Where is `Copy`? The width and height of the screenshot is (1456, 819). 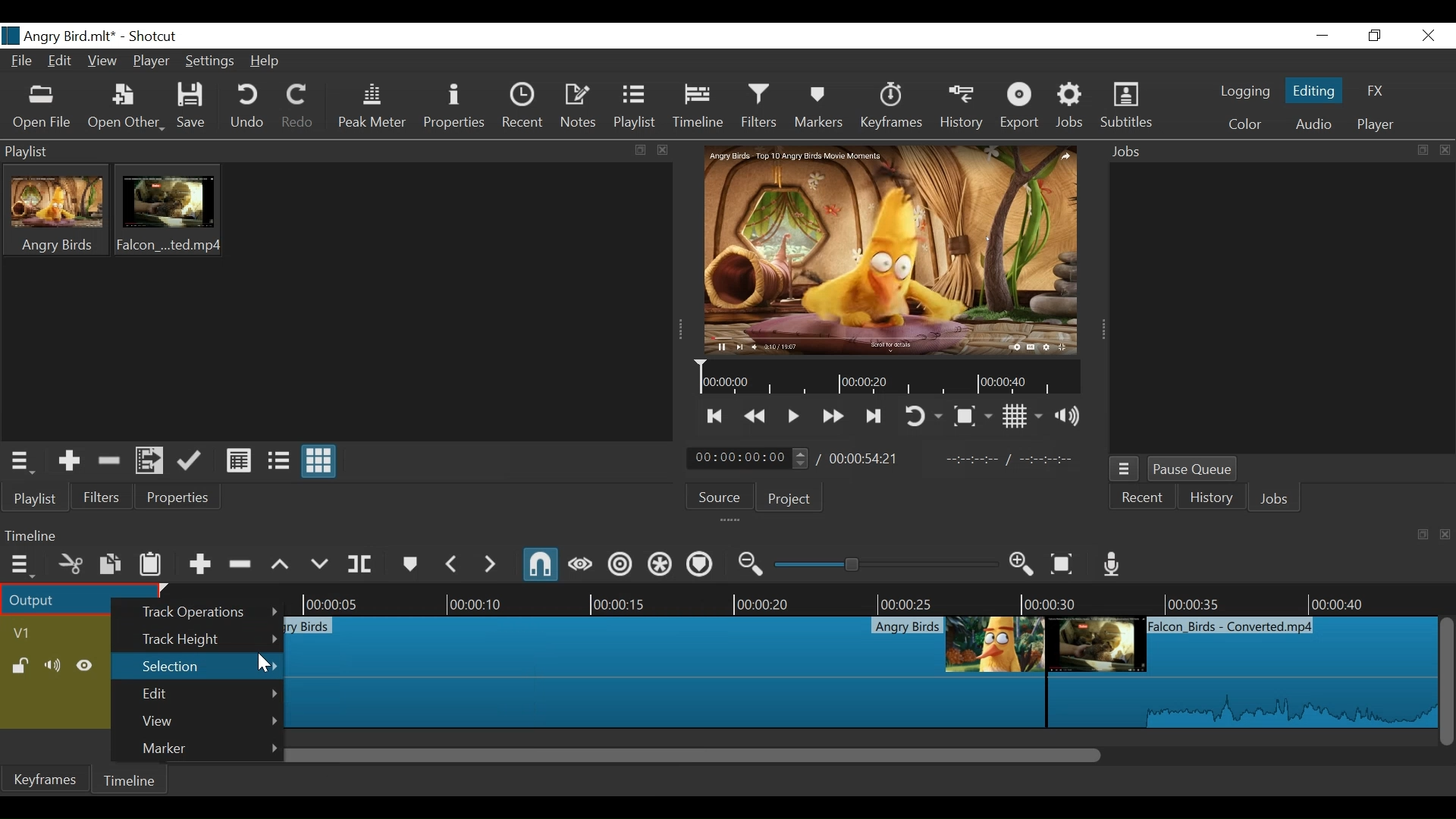
Copy is located at coordinates (110, 564).